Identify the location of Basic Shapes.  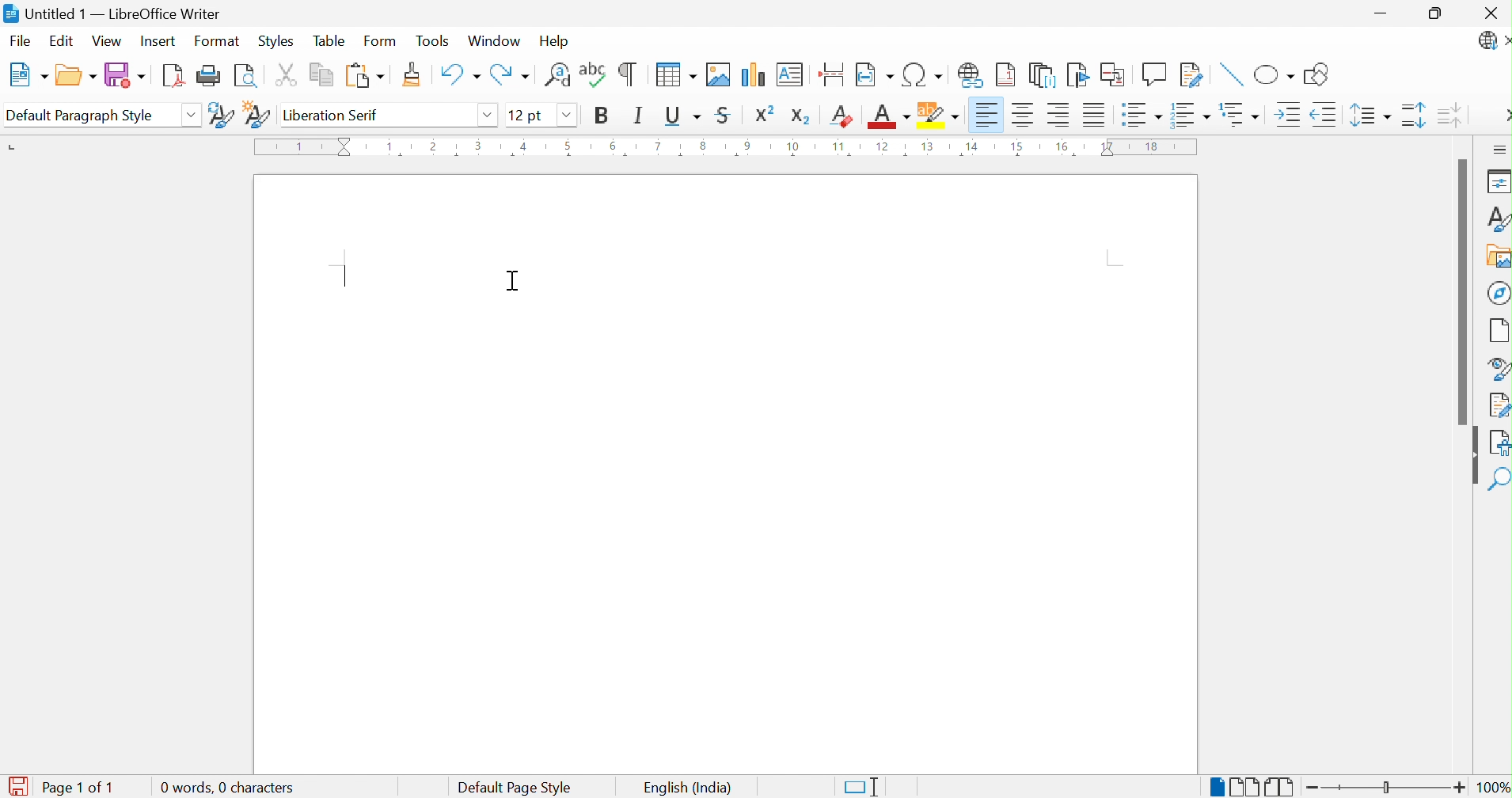
(1272, 72).